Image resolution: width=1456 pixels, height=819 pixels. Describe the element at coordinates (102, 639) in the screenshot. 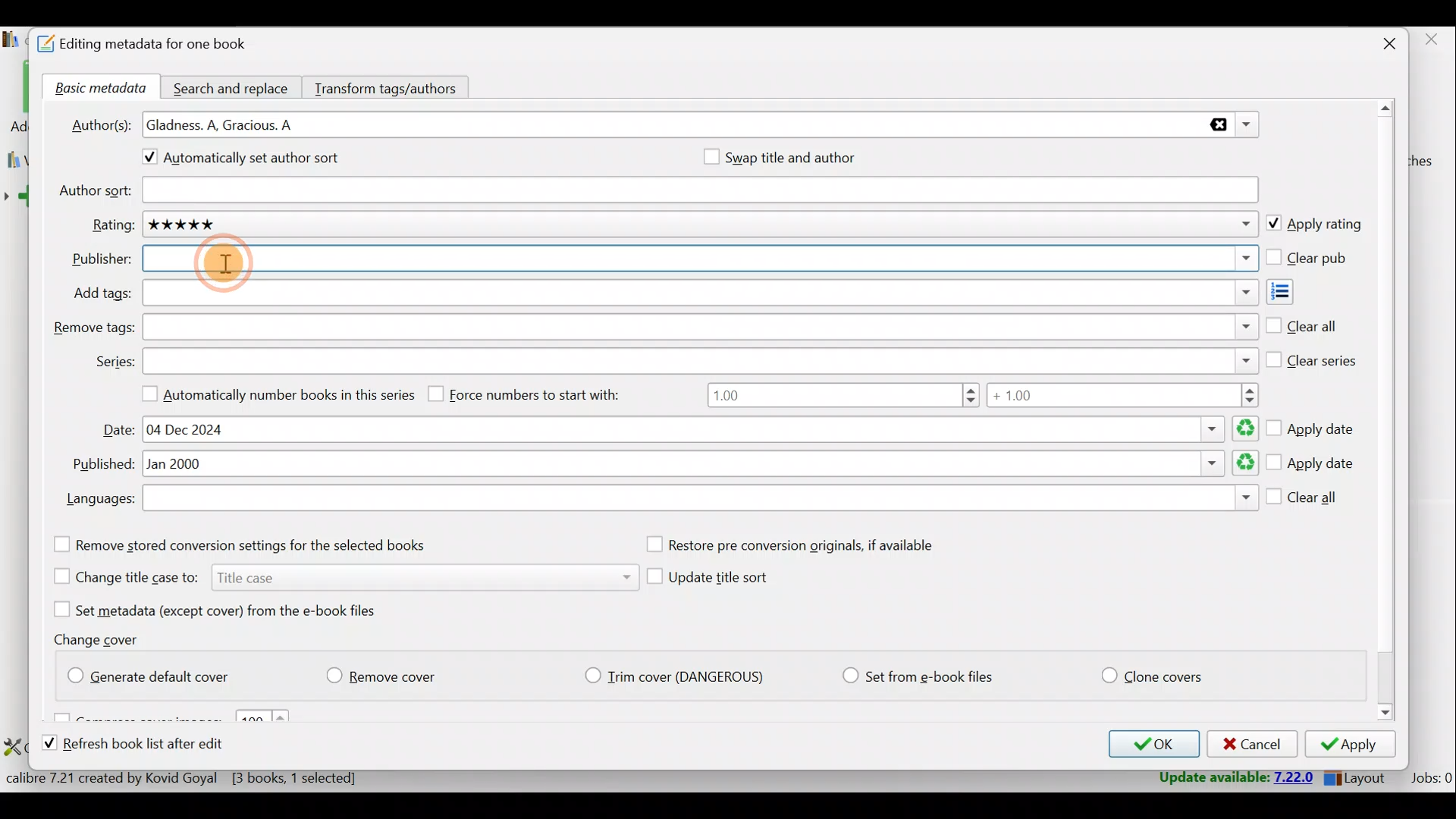

I see `Change cover` at that location.